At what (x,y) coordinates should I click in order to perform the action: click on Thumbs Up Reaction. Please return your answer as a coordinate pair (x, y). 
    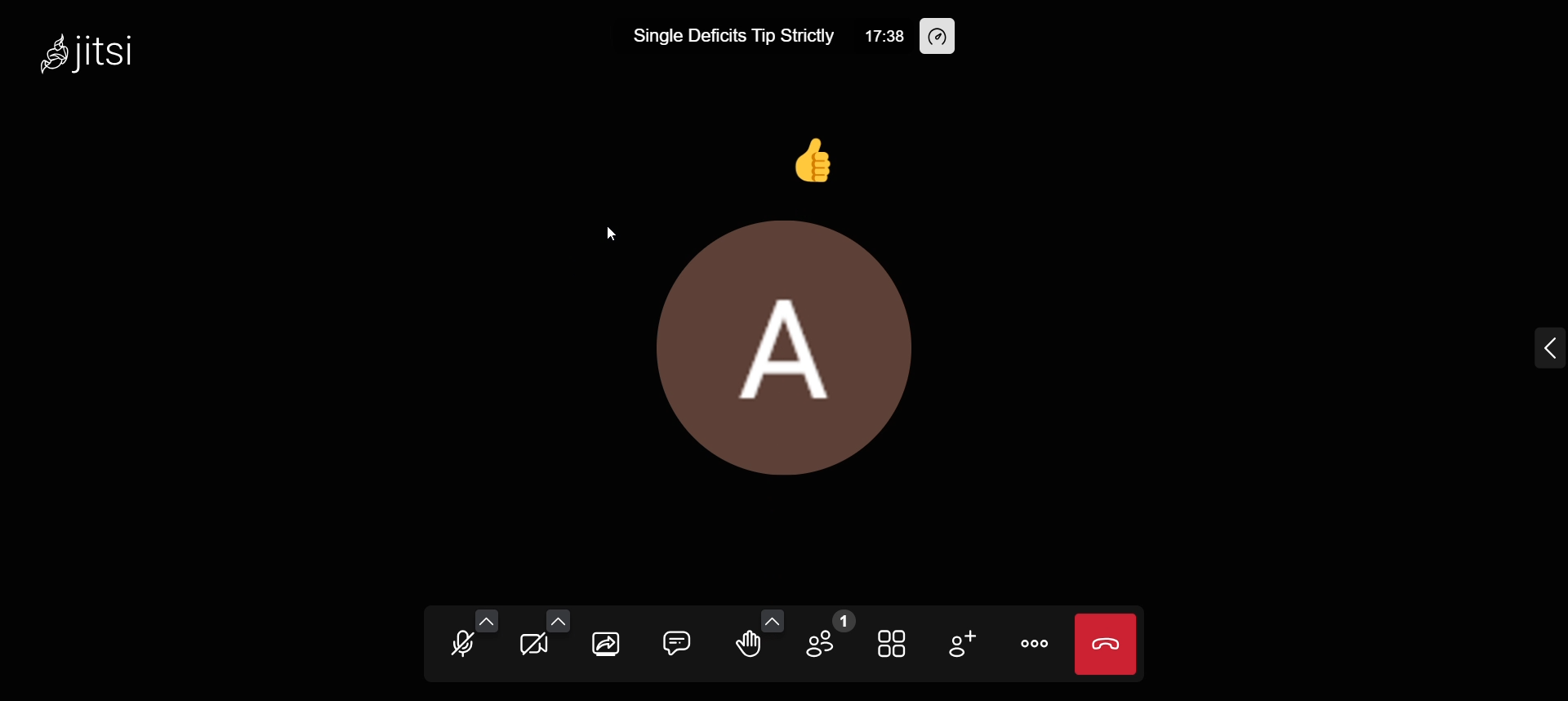
    Looking at the image, I should click on (808, 161).